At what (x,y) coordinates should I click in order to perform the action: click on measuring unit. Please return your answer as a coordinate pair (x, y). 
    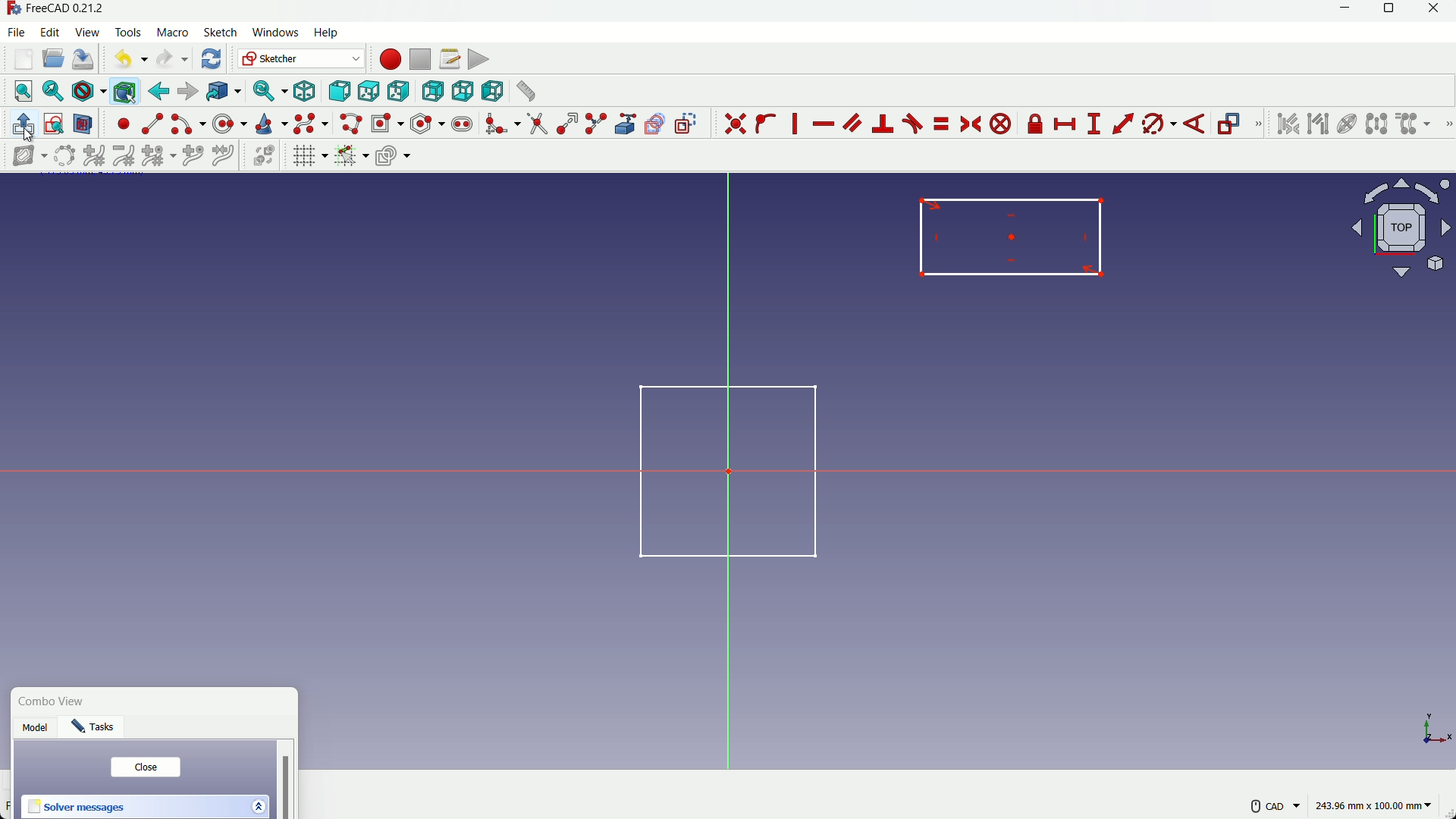
    Looking at the image, I should click on (1376, 806).